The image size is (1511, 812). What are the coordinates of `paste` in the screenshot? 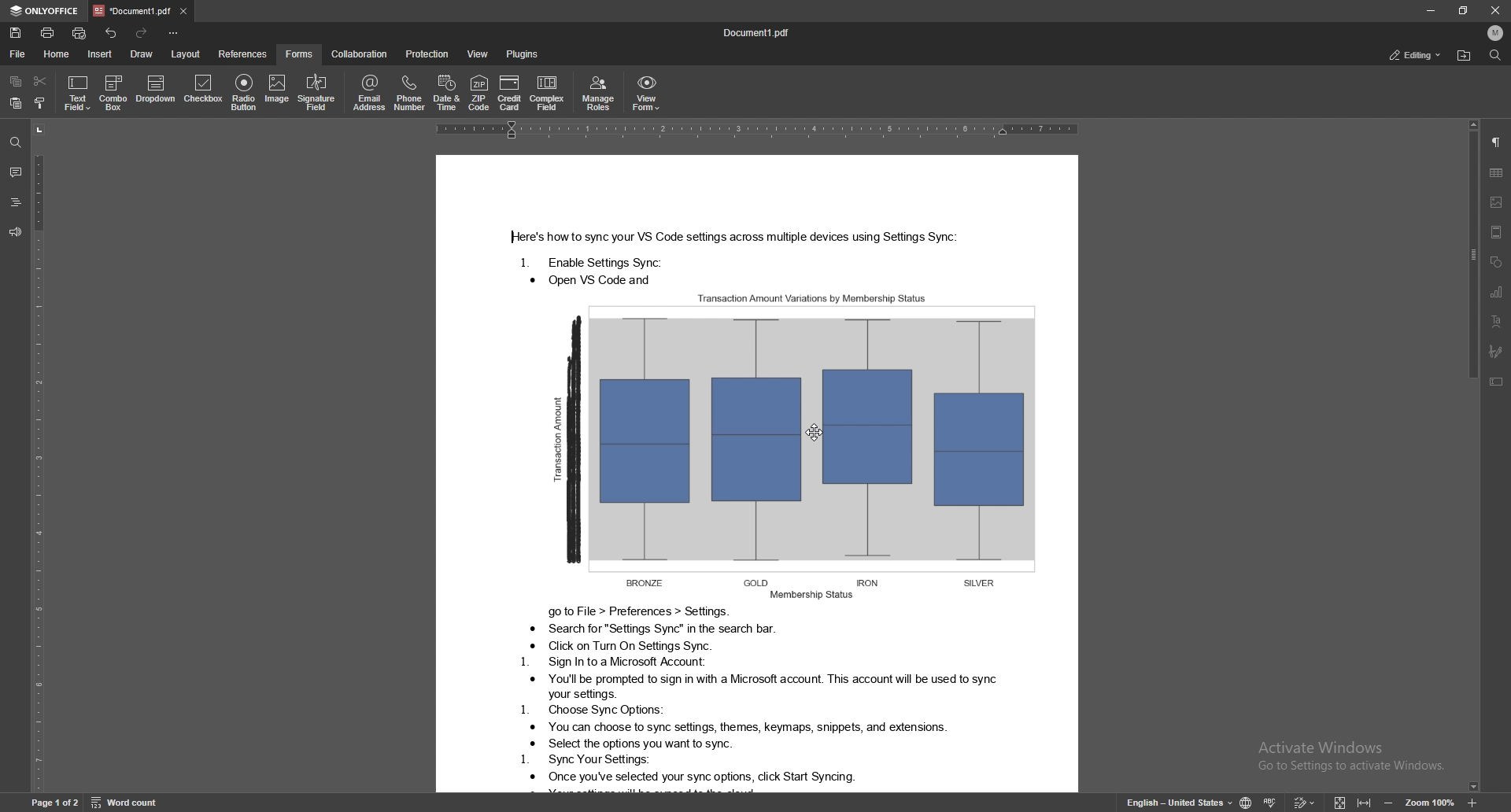 It's located at (15, 103).